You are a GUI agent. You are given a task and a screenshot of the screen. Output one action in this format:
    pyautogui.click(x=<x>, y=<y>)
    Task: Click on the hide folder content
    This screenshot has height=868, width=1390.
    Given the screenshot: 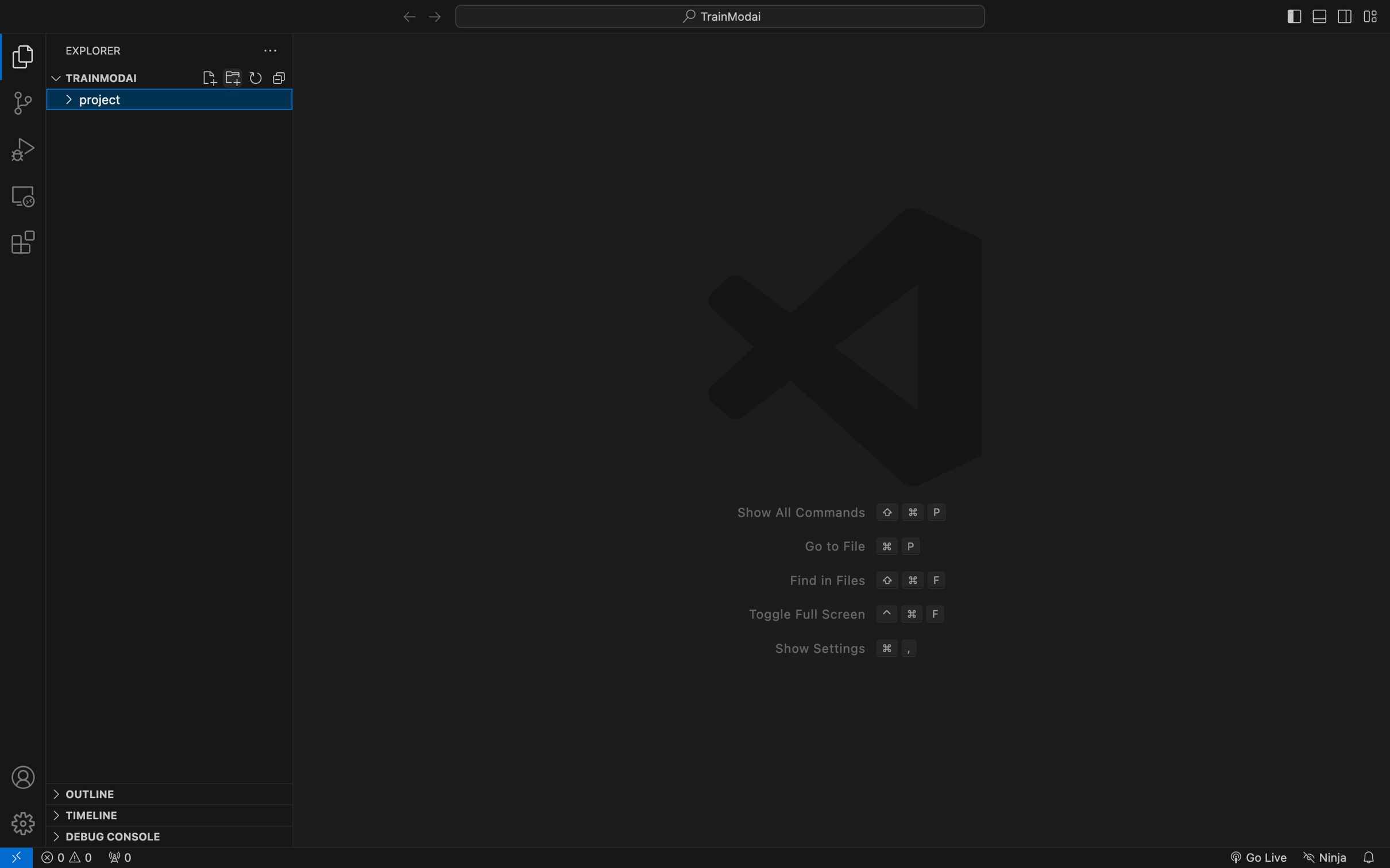 What is the action you would take?
    pyautogui.click(x=279, y=77)
    